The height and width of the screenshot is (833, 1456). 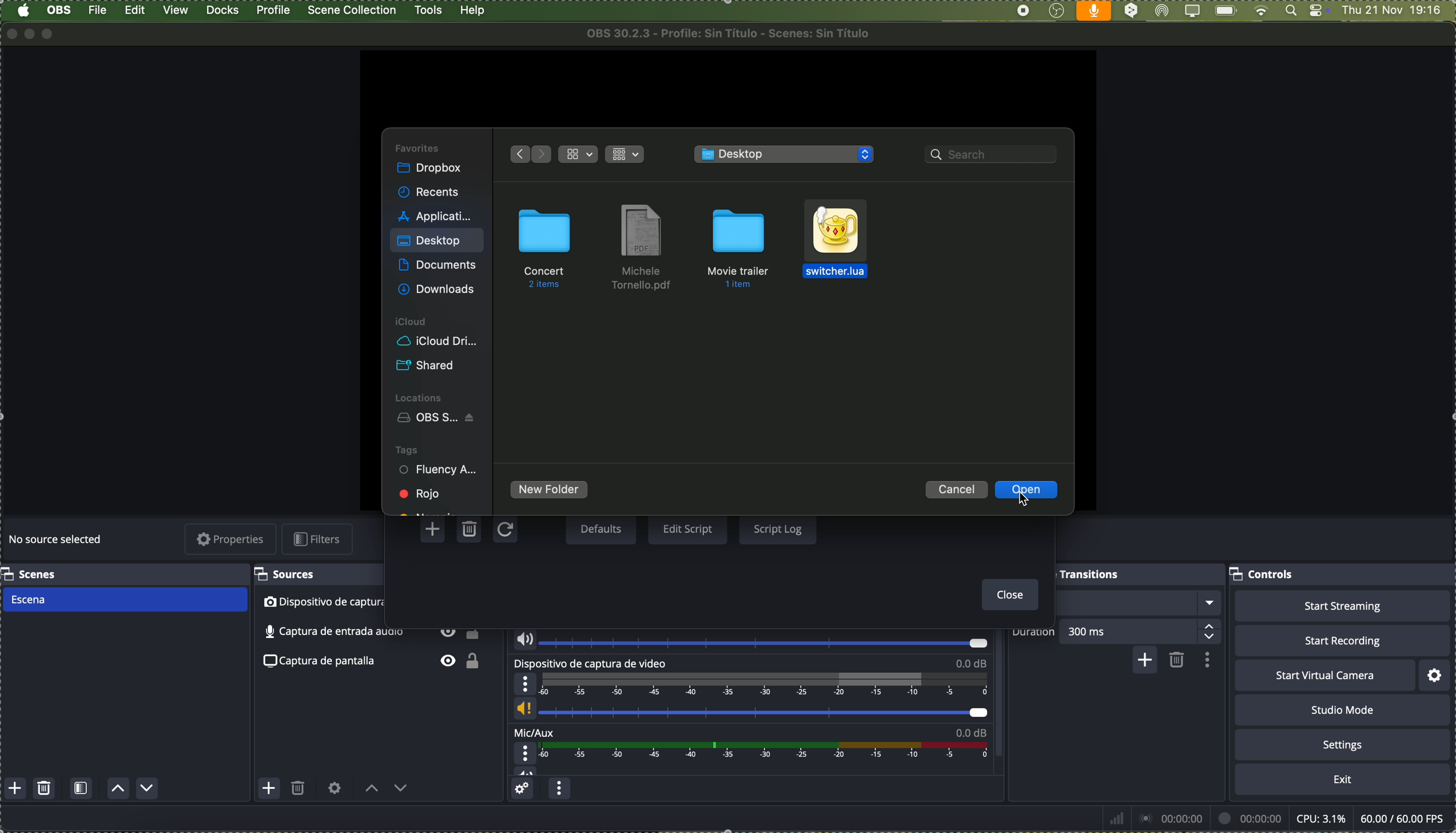 I want to click on settings, so click(x=1436, y=675).